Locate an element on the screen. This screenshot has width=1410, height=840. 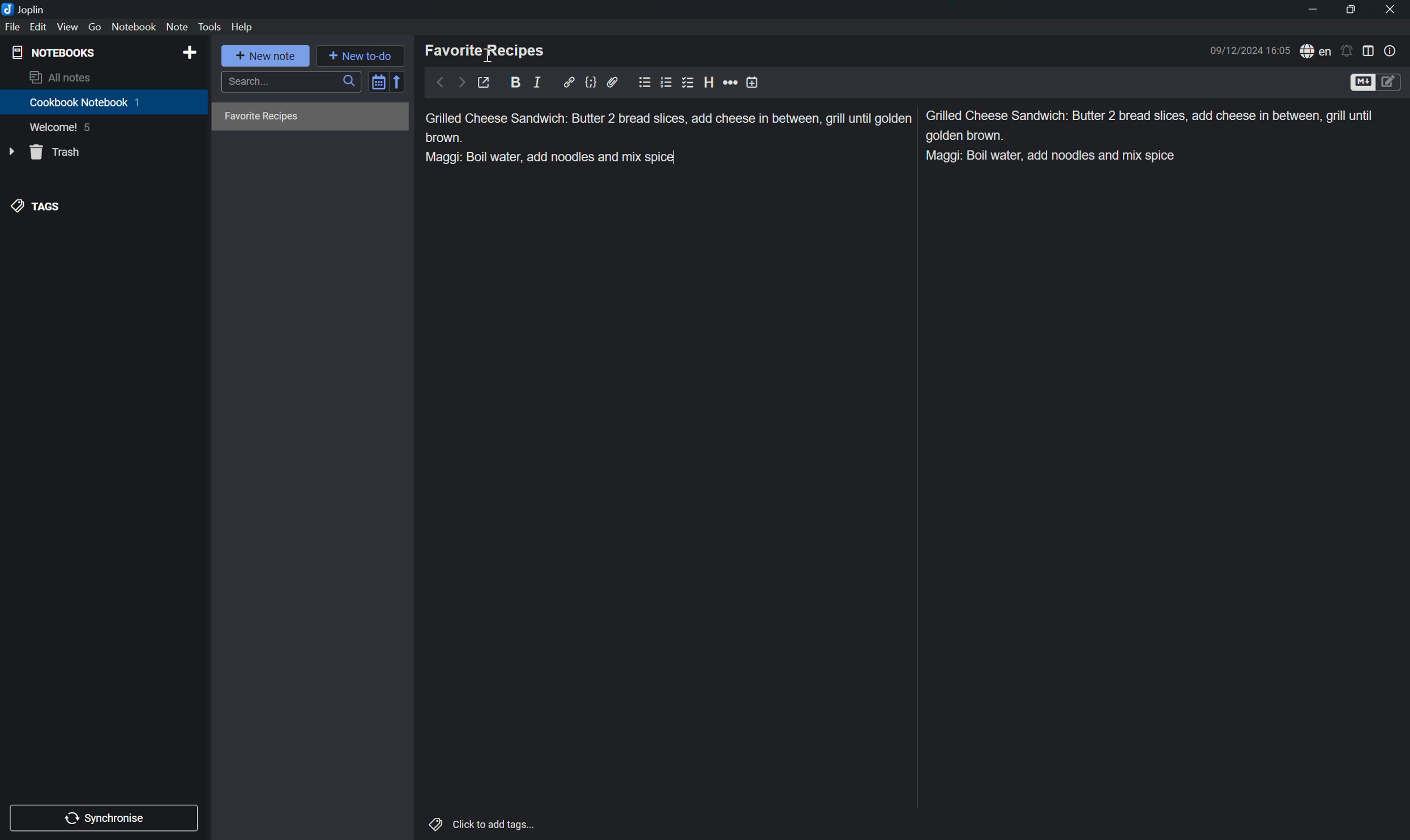
Grilled Cheese Sandwich: Butter 2 bread slices, add cheese in between, grill until golden brown. is located at coordinates (668, 127).